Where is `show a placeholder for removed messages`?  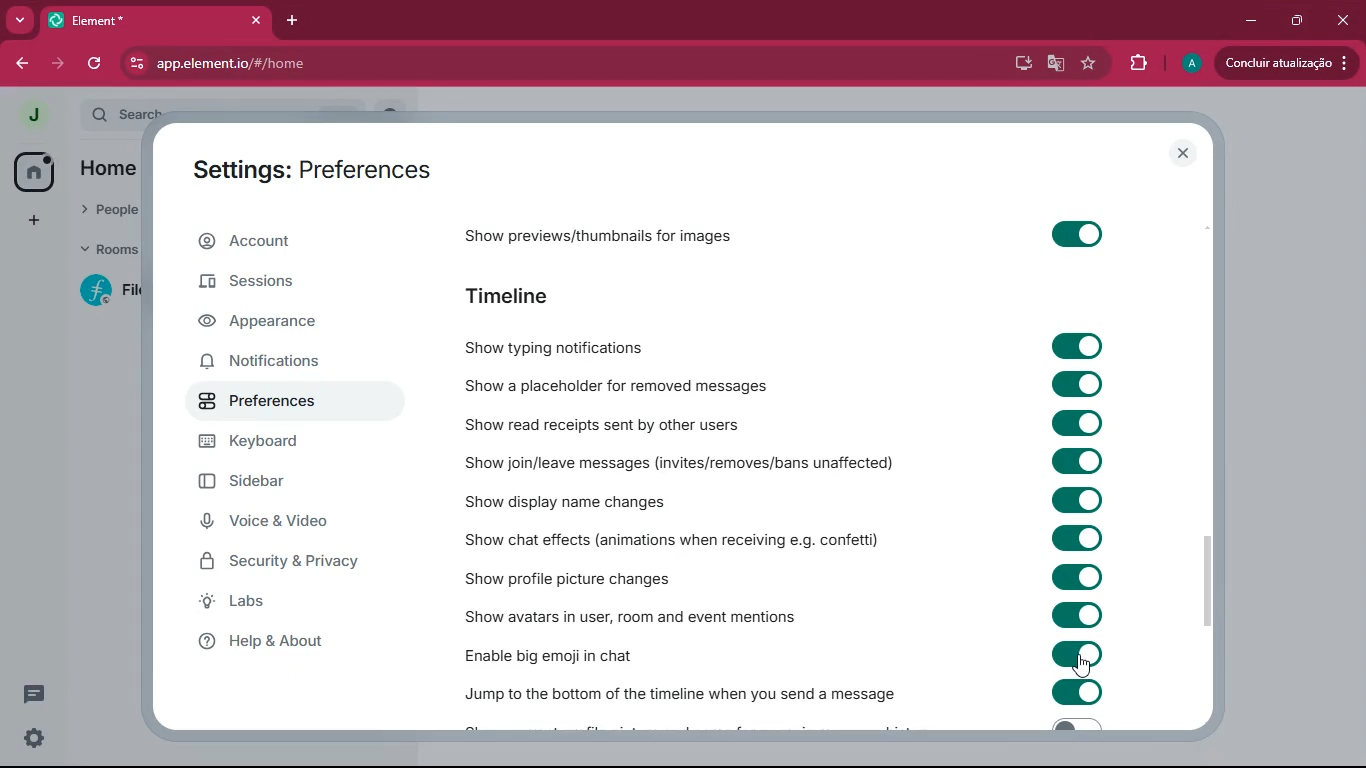 show a placeholder for removed messages is located at coordinates (658, 385).